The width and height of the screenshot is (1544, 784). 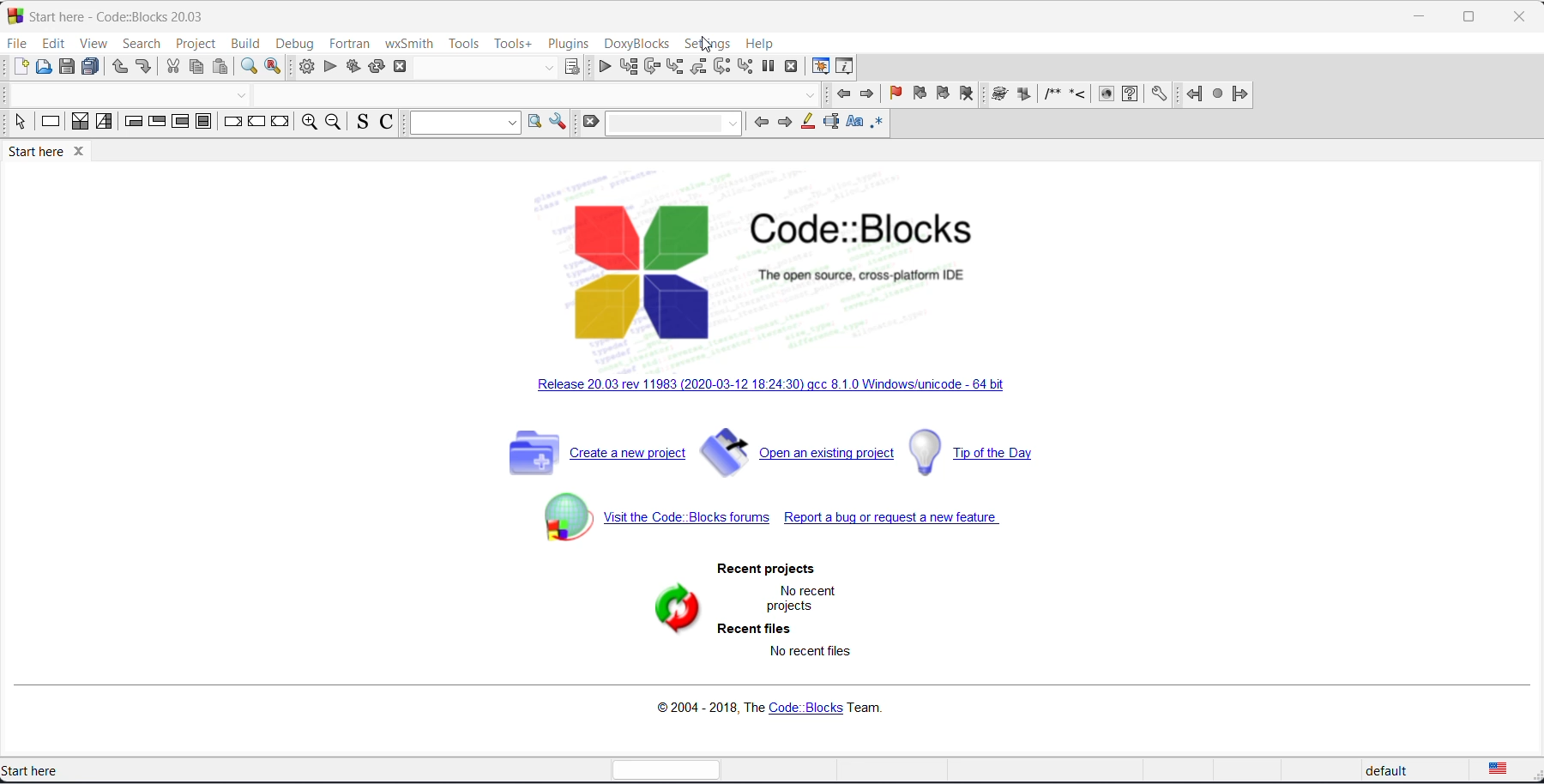 I want to click on settings, so click(x=707, y=45).